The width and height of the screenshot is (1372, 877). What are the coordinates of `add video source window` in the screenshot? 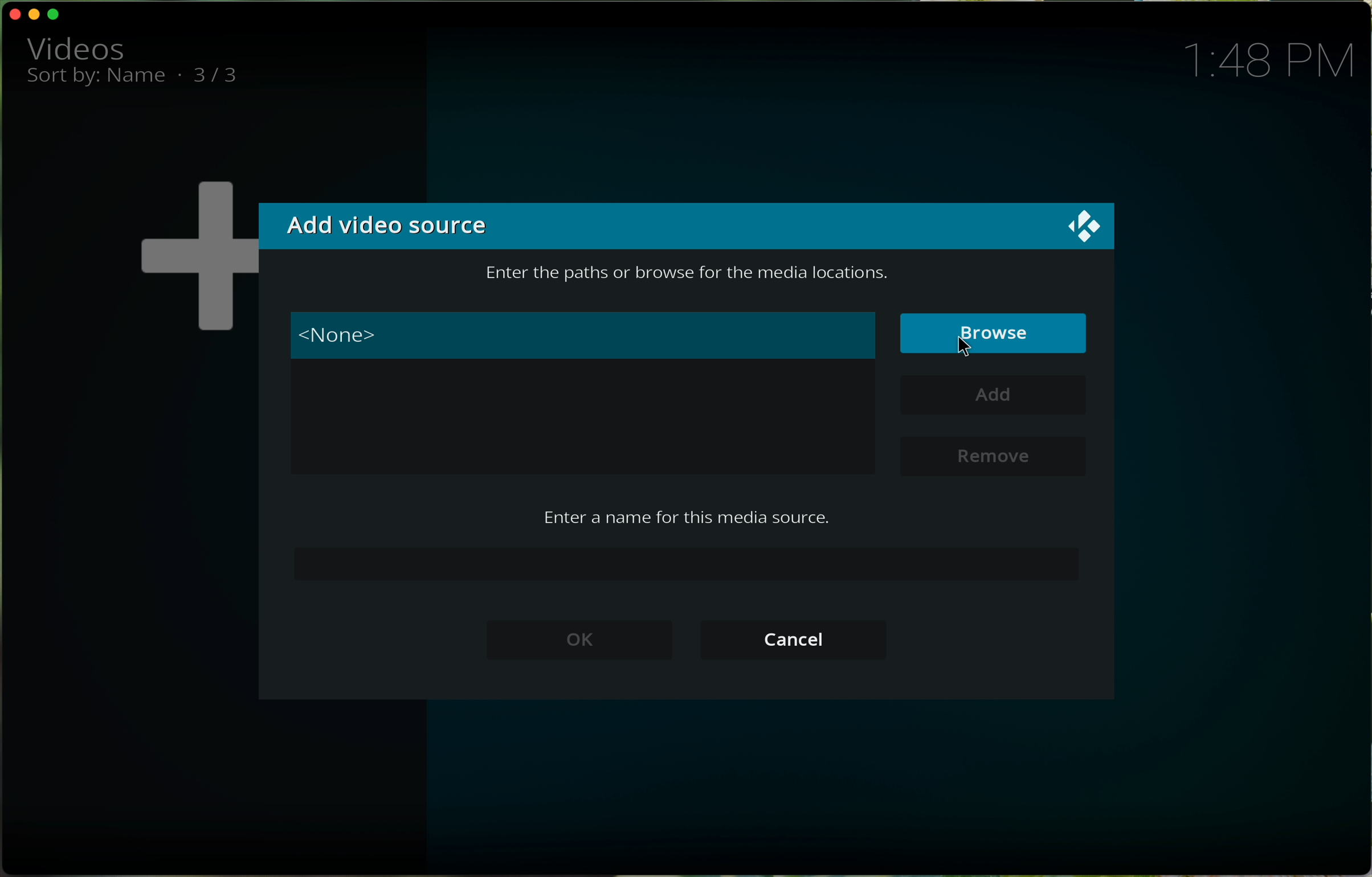 It's located at (687, 226).